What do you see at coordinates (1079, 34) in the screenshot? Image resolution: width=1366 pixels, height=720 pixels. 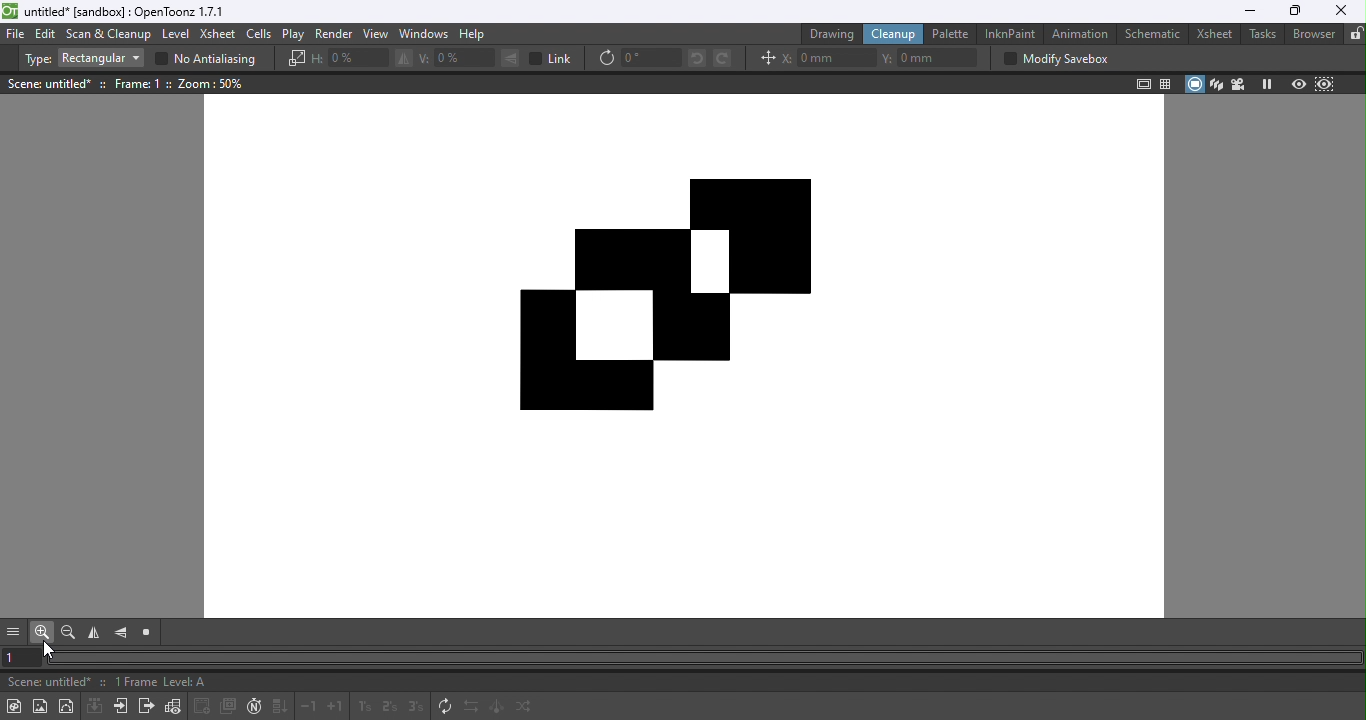 I see `Animation` at bounding box center [1079, 34].